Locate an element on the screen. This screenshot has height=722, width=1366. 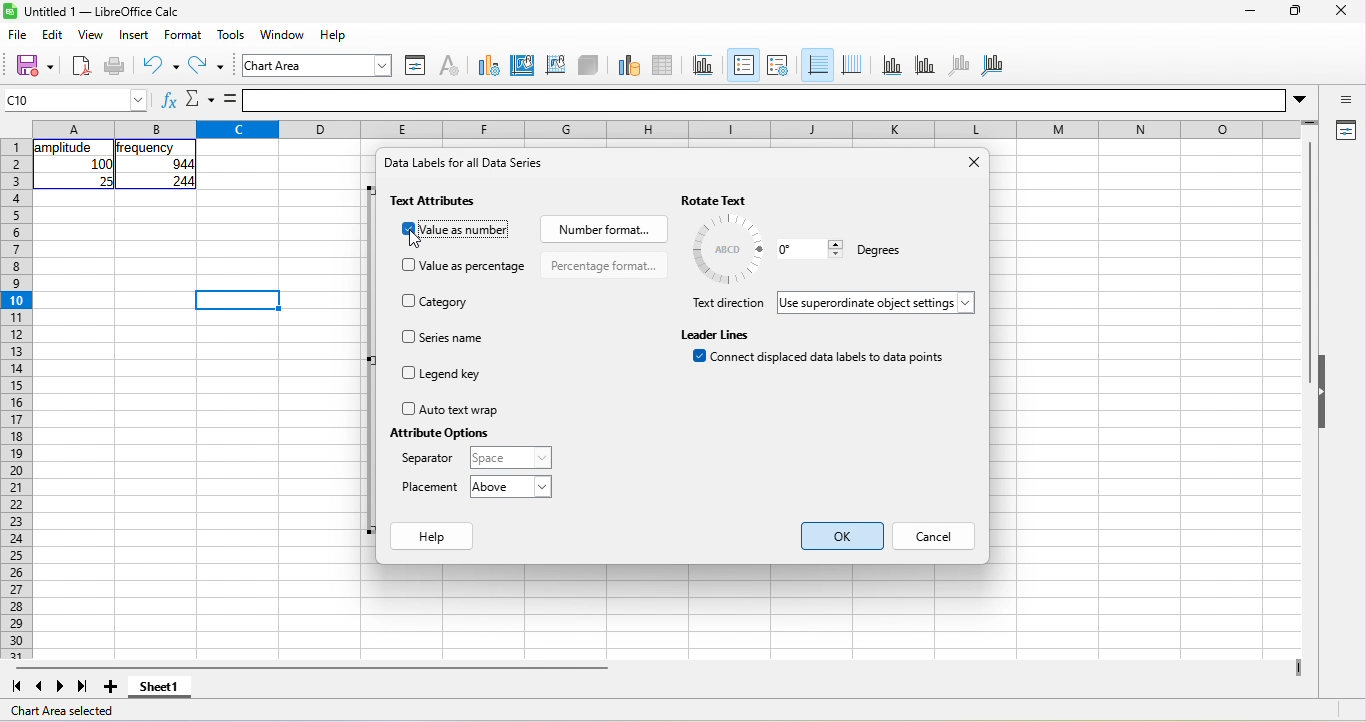
horizontal grids is located at coordinates (816, 66).